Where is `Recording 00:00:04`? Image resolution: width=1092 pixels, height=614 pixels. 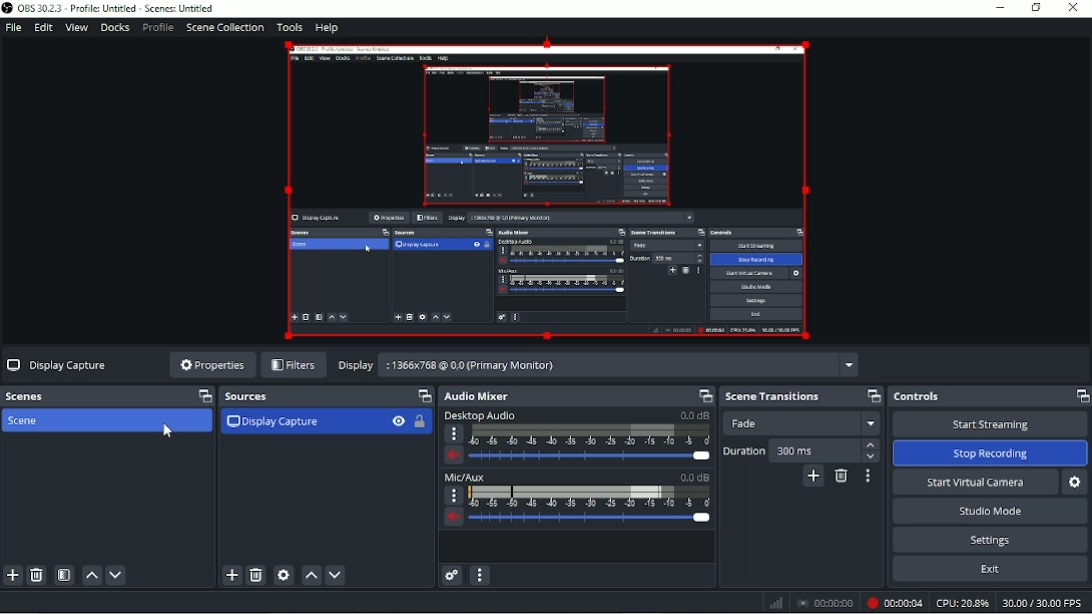 Recording 00:00:04 is located at coordinates (894, 604).